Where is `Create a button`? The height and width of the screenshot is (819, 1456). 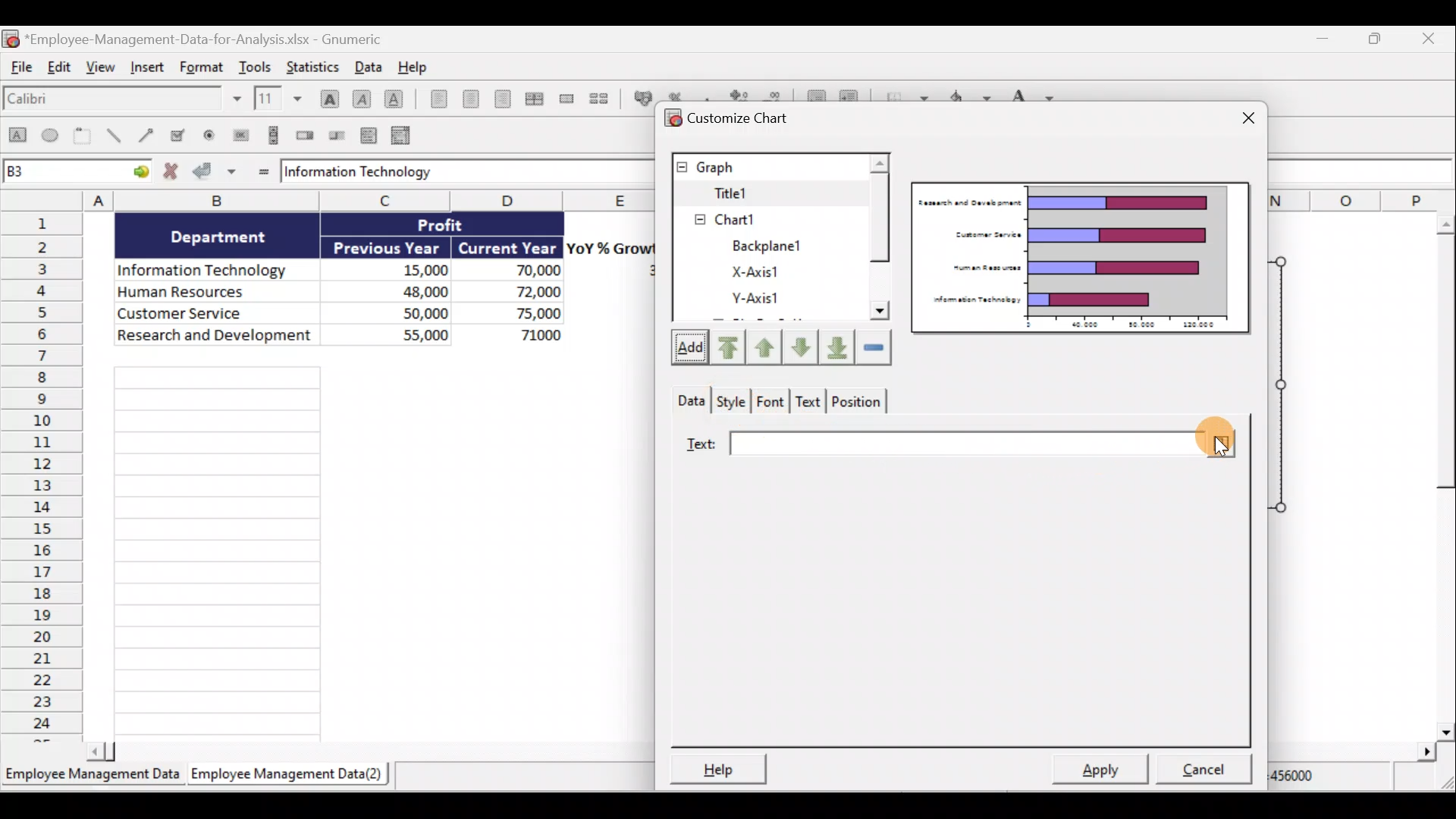 Create a button is located at coordinates (240, 133).